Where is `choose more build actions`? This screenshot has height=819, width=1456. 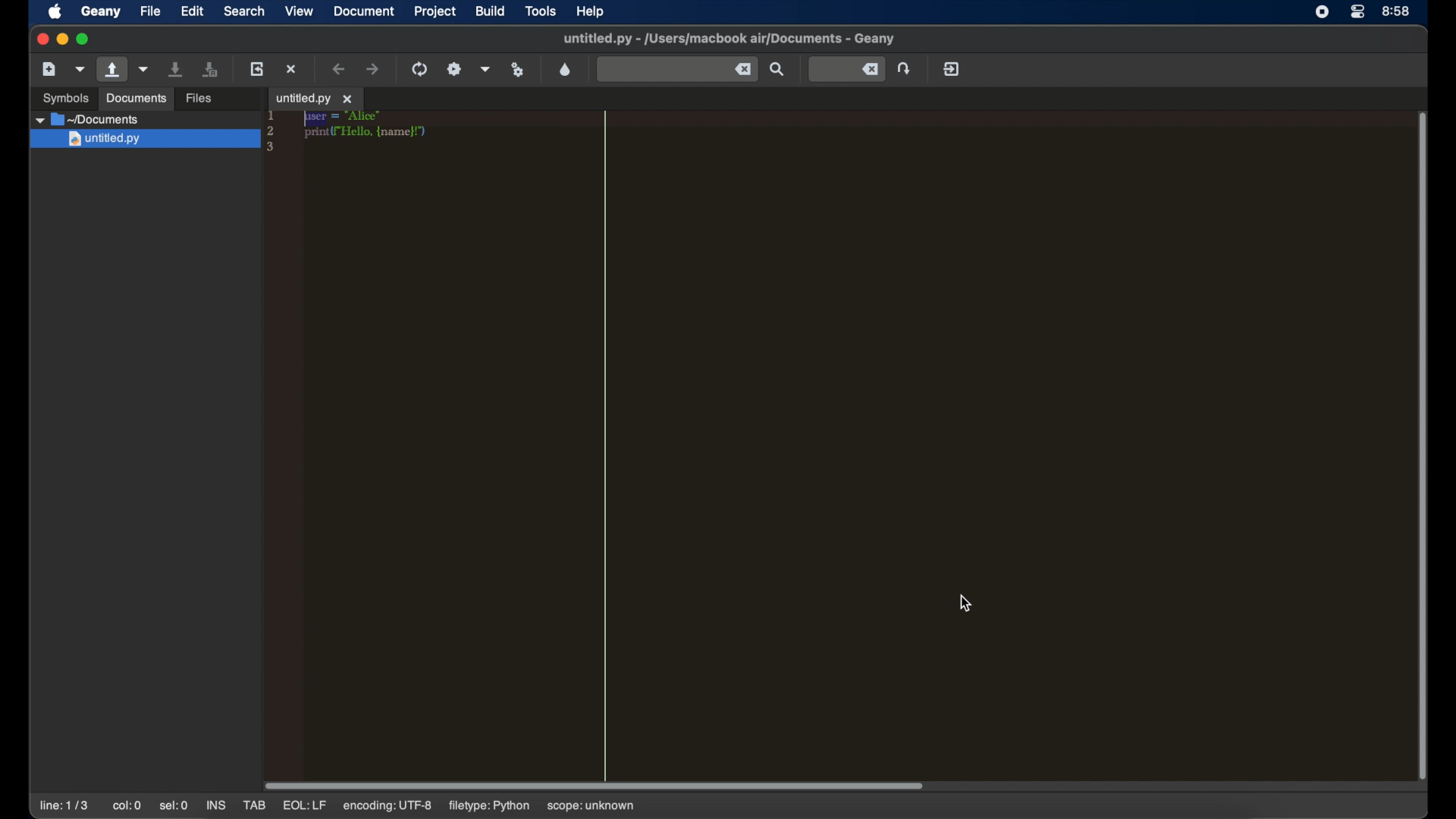 choose more build actions is located at coordinates (486, 69).